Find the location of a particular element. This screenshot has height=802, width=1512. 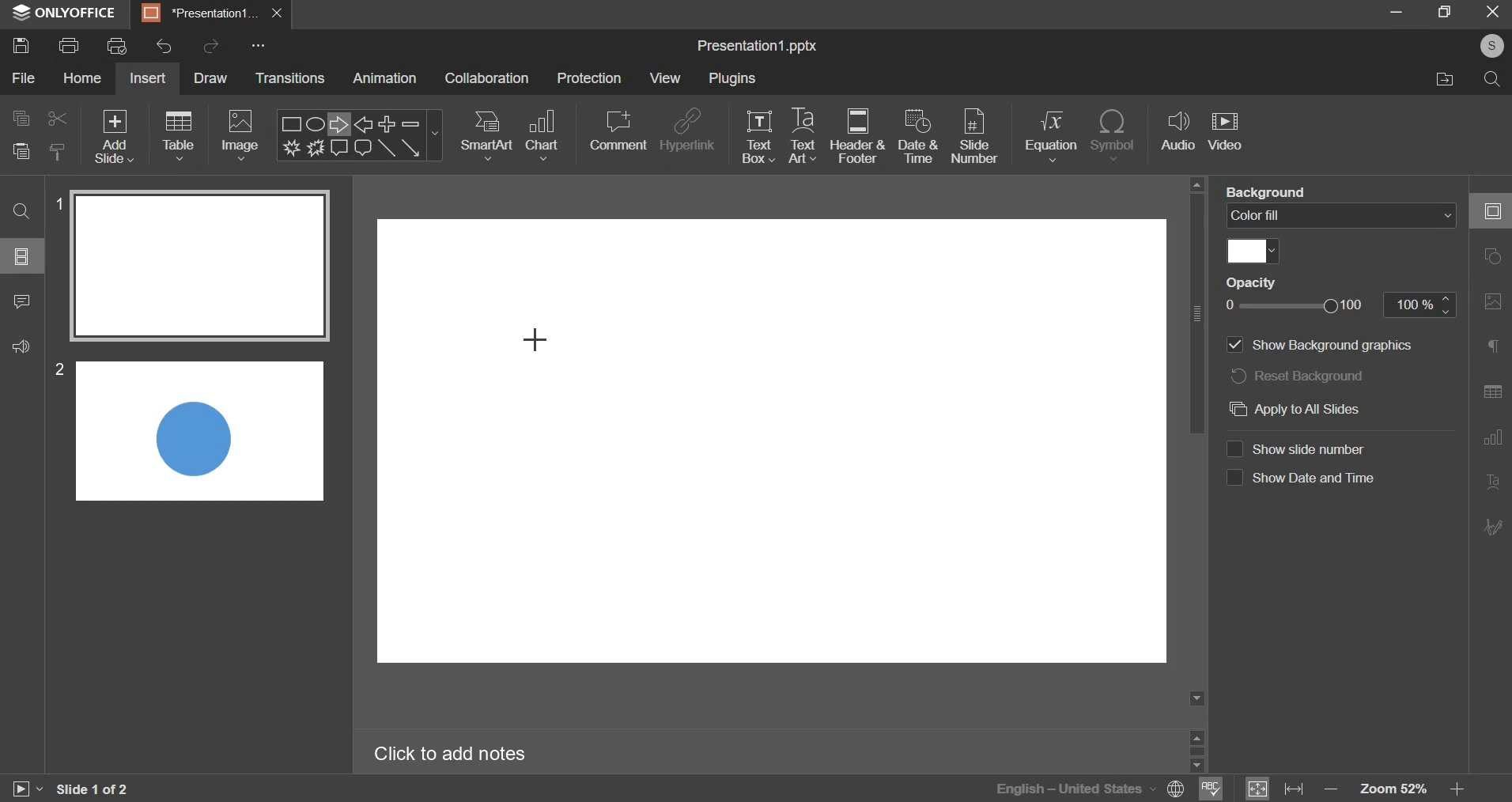

hyperlink is located at coordinates (687, 132).